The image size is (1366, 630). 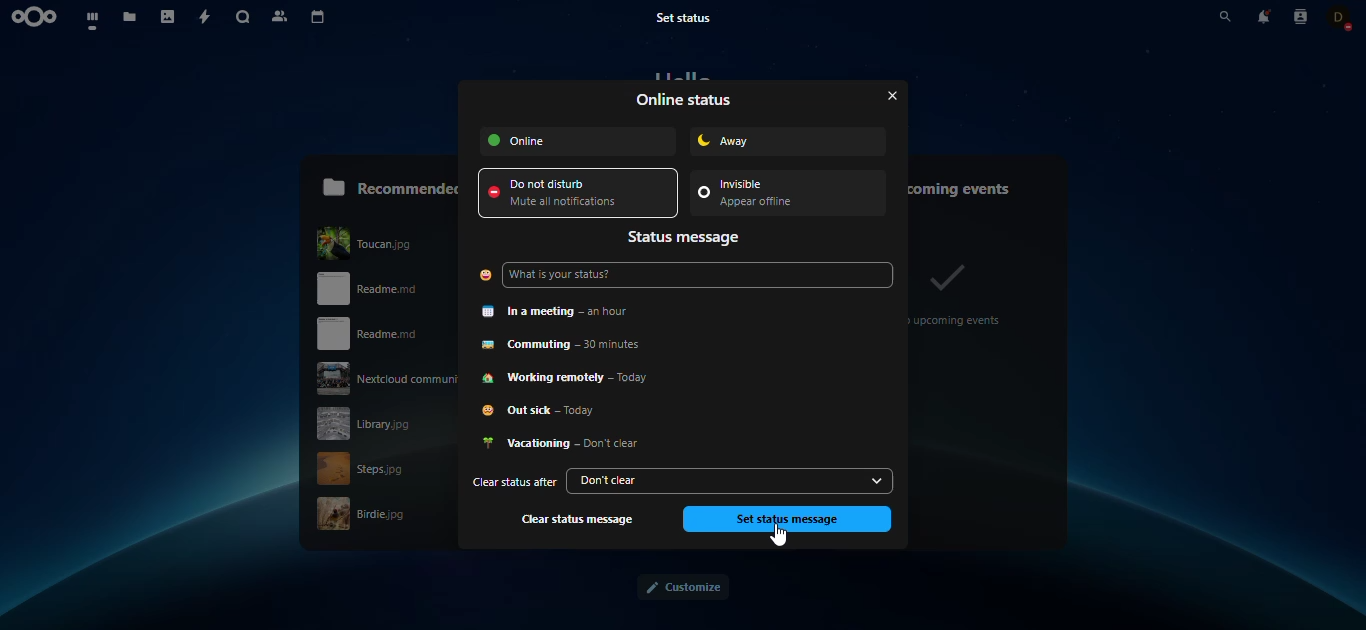 What do you see at coordinates (575, 378) in the screenshot?
I see `working remotely` at bounding box center [575, 378].